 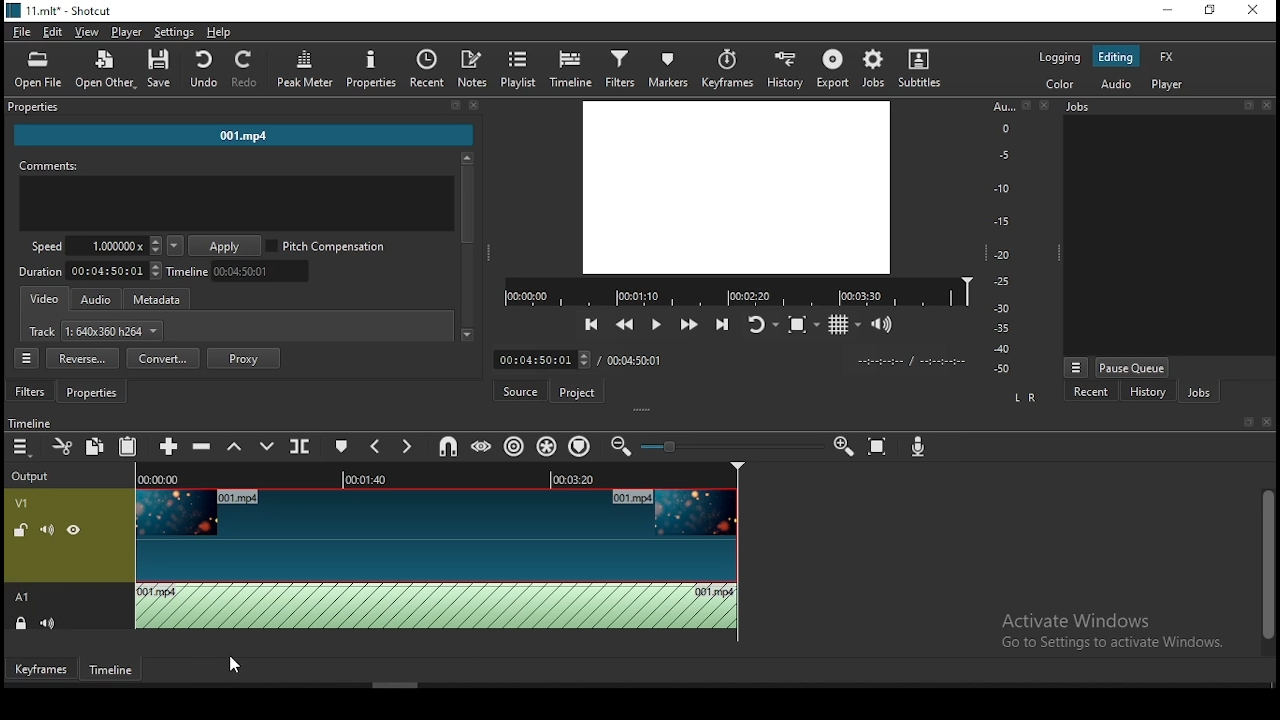 What do you see at coordinates (61, 446) in the screenshot?
I see `cut` at bounding box center [61, 446].